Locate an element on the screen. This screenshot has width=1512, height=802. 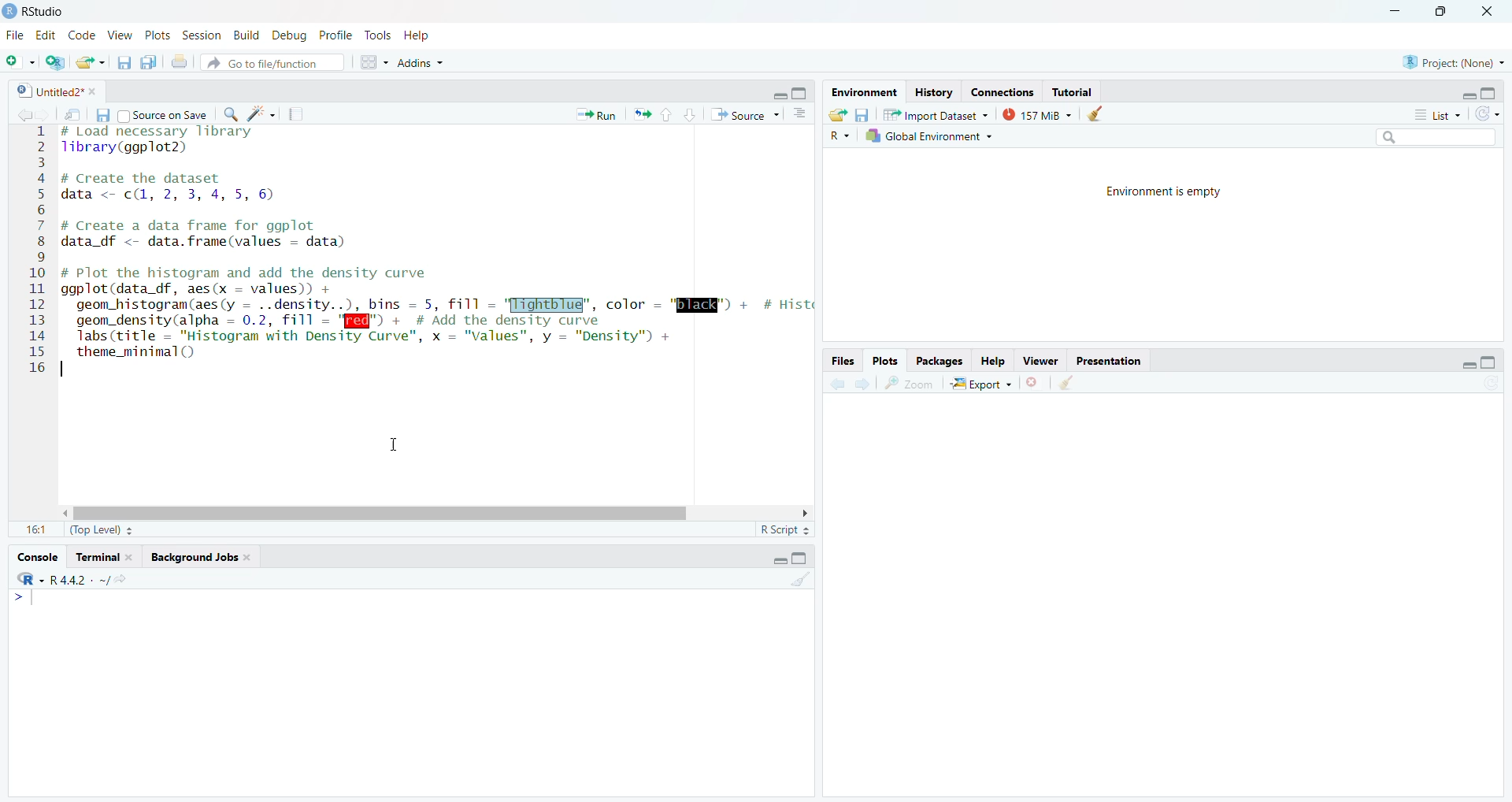
Environment is located at coordinates (864, 91).